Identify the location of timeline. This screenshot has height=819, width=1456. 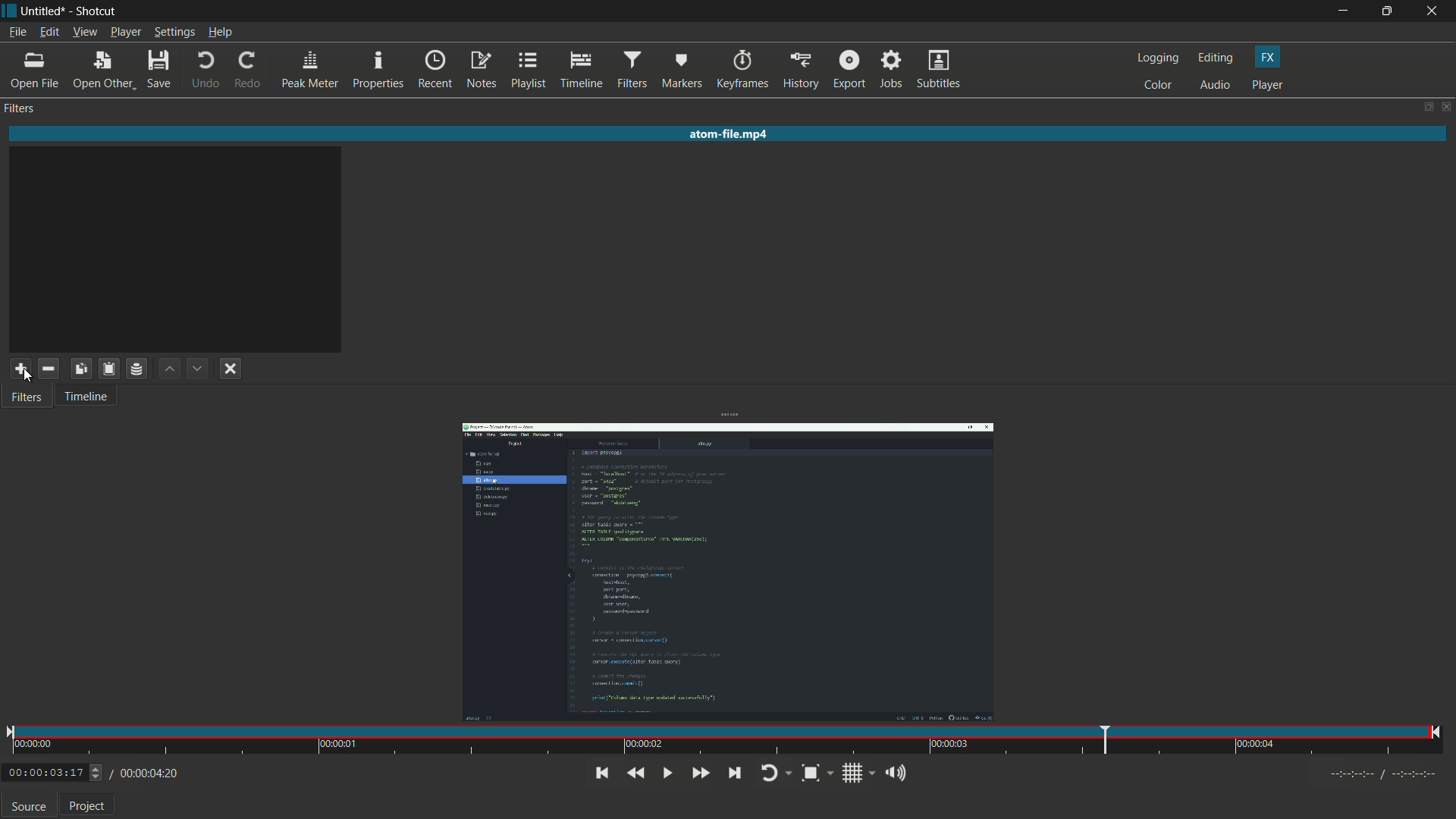
(580, 70).